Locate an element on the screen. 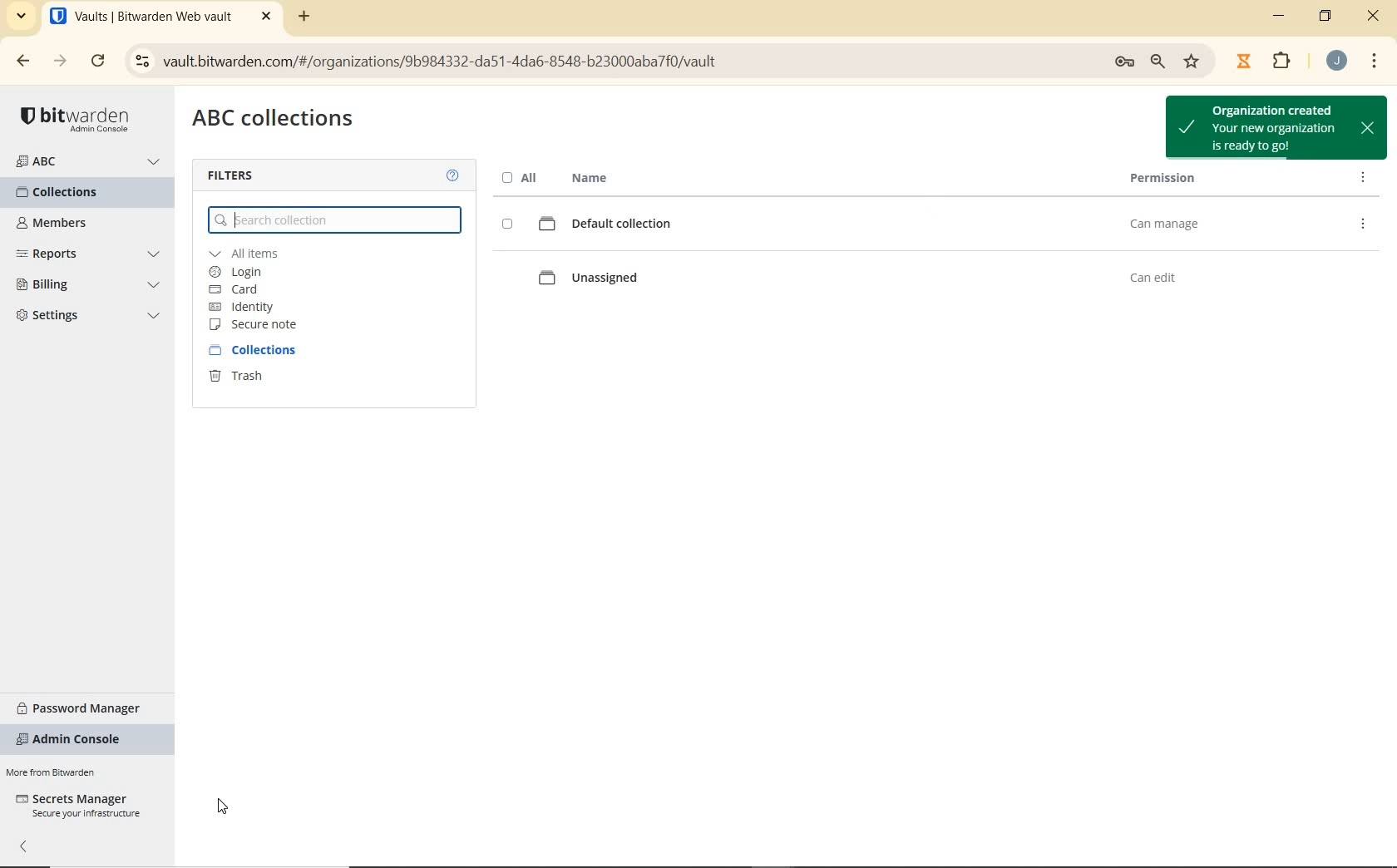 This screenshot has height=868, width=1397. BACK is located at coordinates (15, 61).